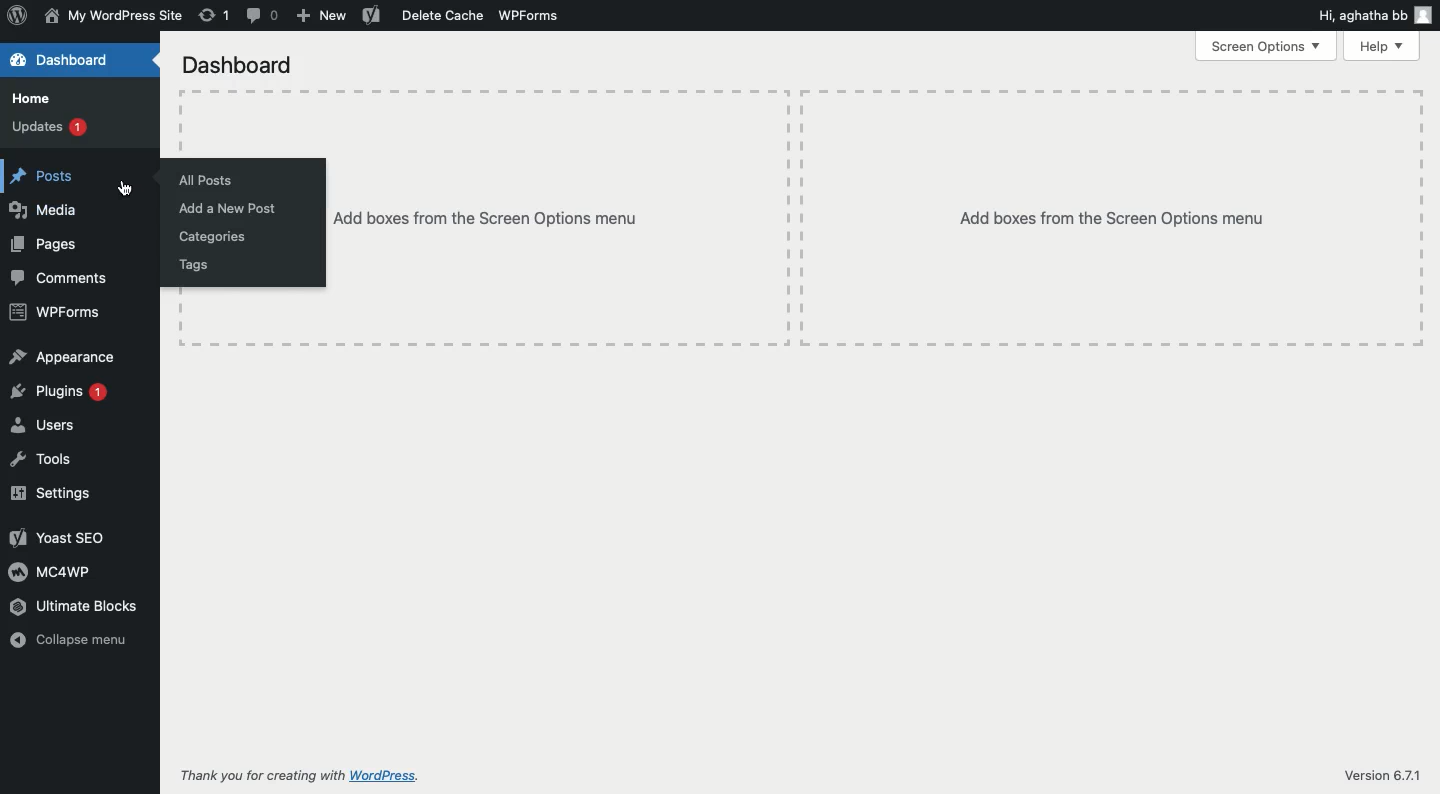 This screenshot has width=1440, height=794. I want to click on Thank you for creating with WordPress., so click(307, 778).